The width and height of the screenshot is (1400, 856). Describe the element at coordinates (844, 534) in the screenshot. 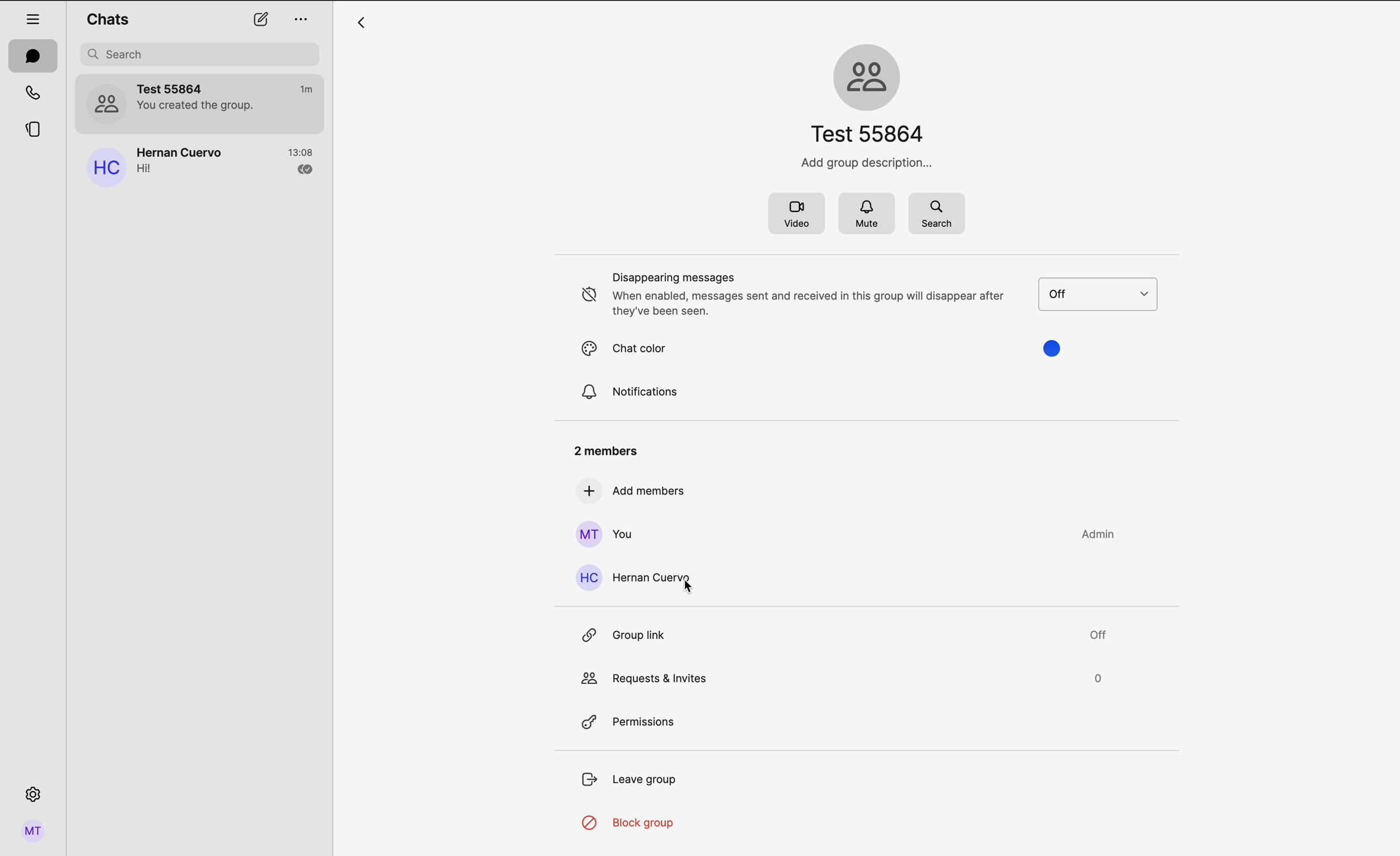

I see `you` at that location.